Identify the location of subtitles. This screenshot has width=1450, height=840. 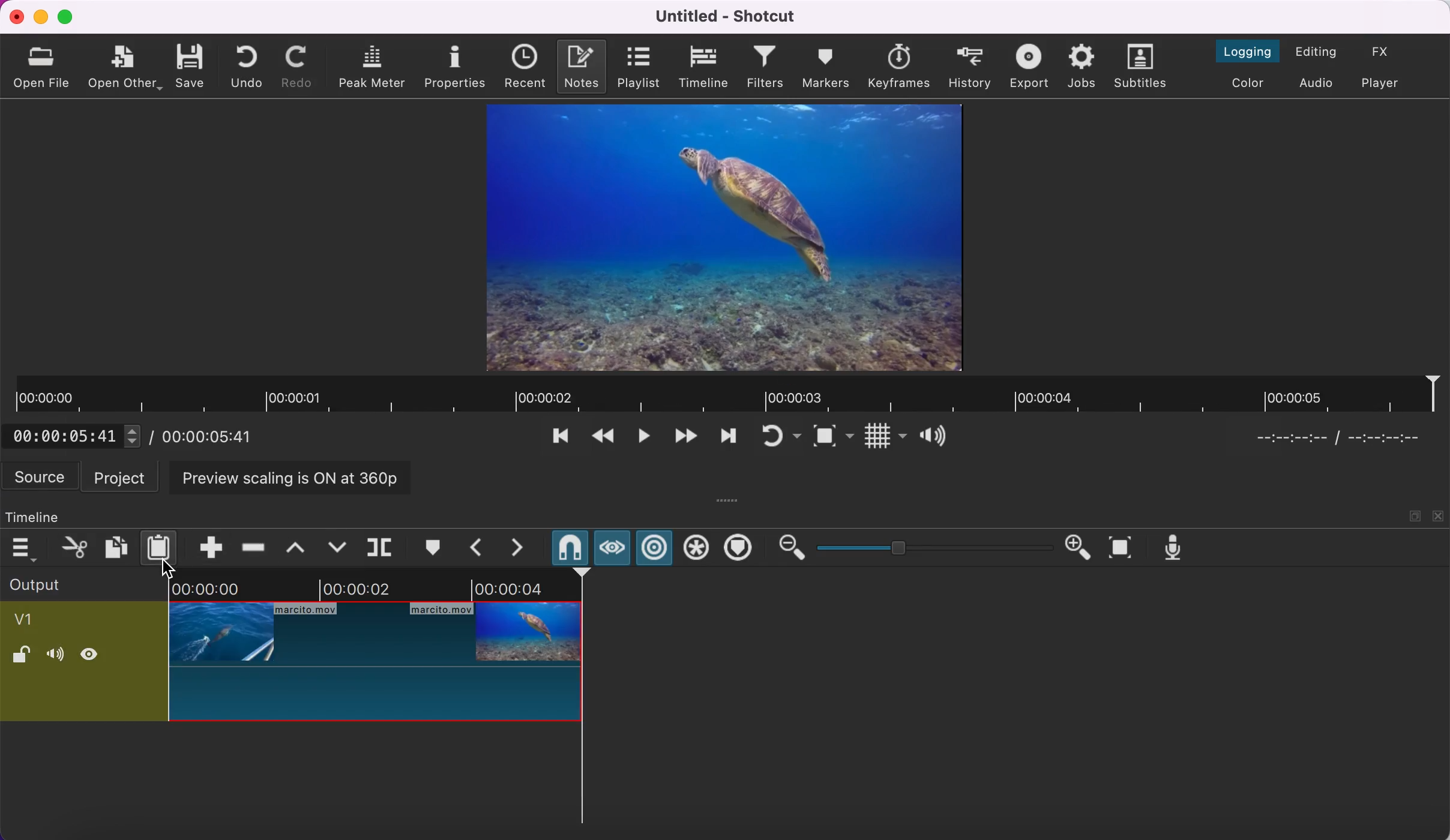
(1145, 67).